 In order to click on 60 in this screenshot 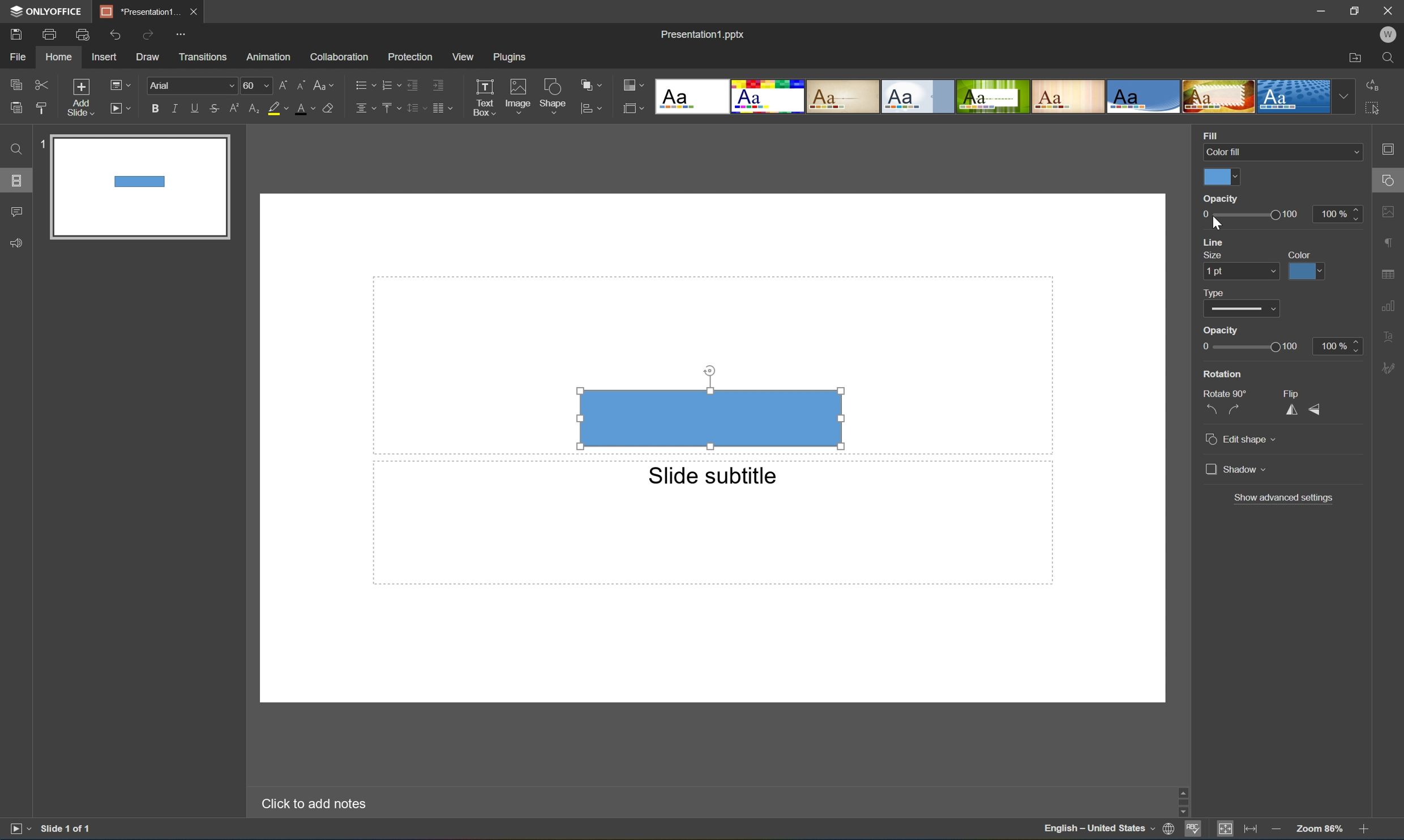, I will do `click(255, 85)`.